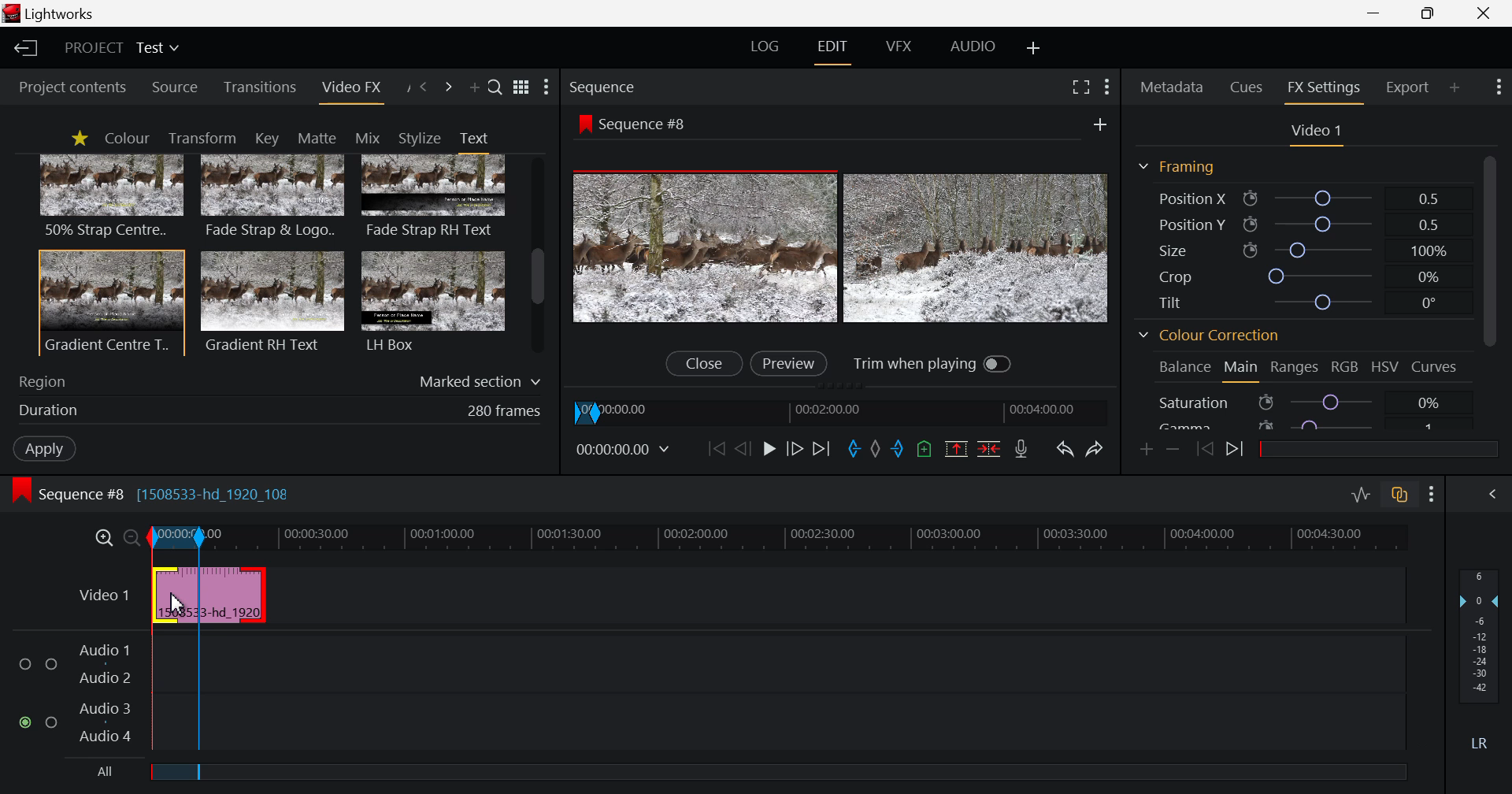 This screenshot has width=1512, height=794. Describe the element at coordinates (354, 91) in the screenshot. I see `Video FX Panel Open` at that location.